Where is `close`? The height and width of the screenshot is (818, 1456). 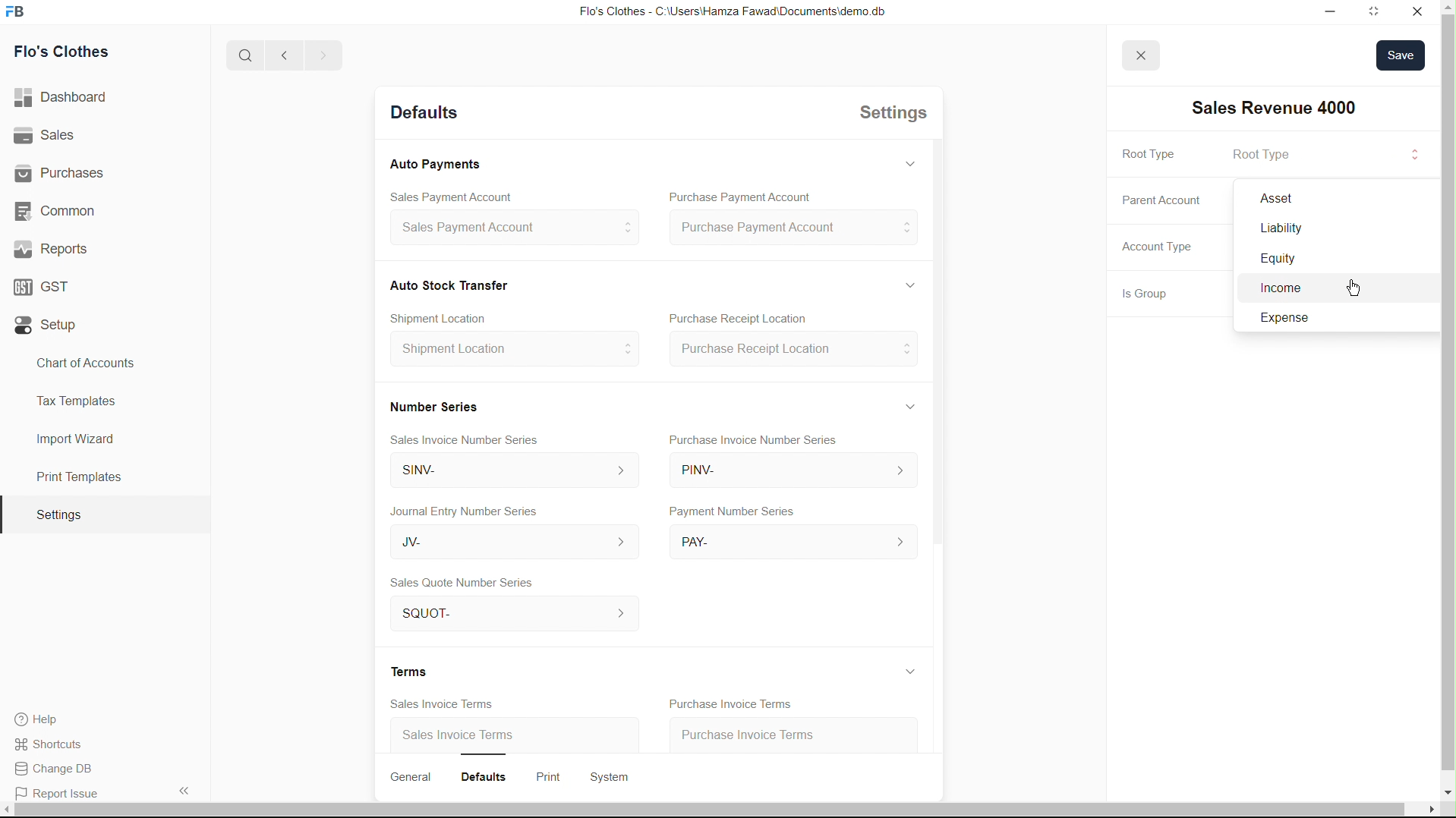
close is located at coordinates (1142, 55).